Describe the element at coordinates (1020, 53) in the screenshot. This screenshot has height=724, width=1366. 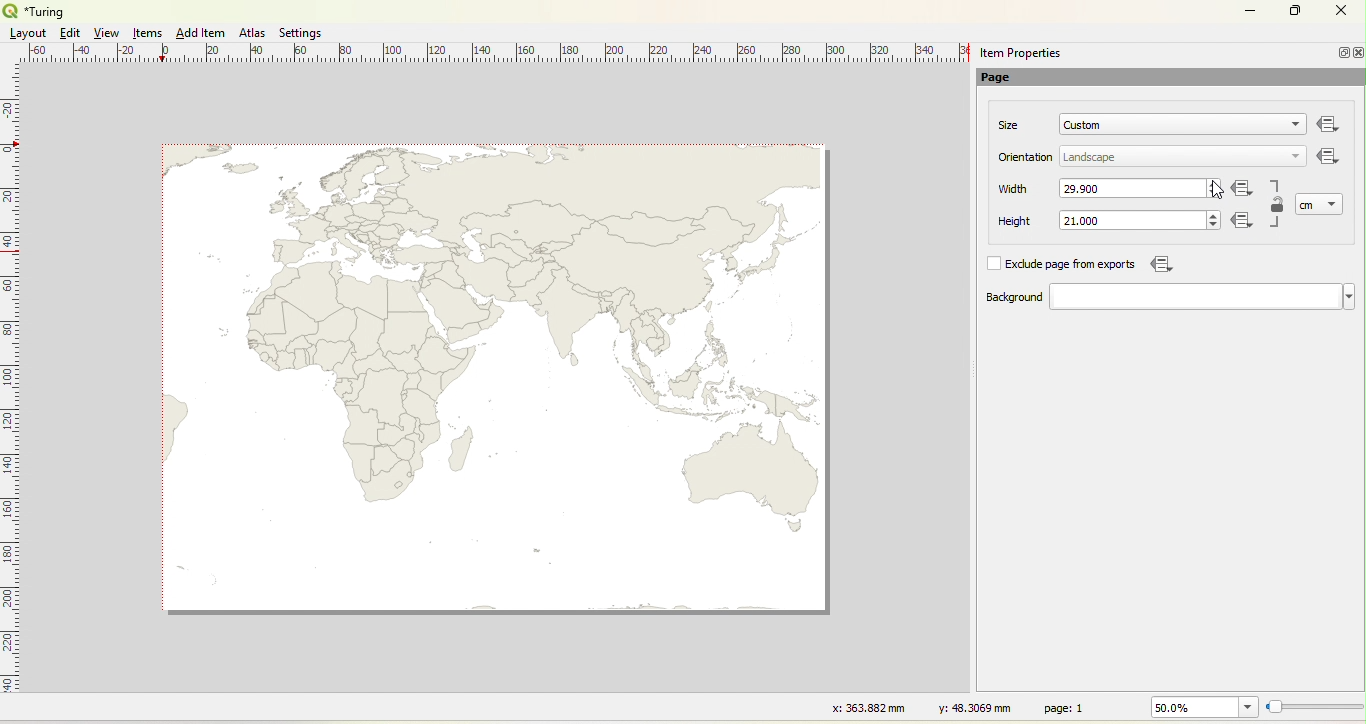
I see `item properties` at that location.